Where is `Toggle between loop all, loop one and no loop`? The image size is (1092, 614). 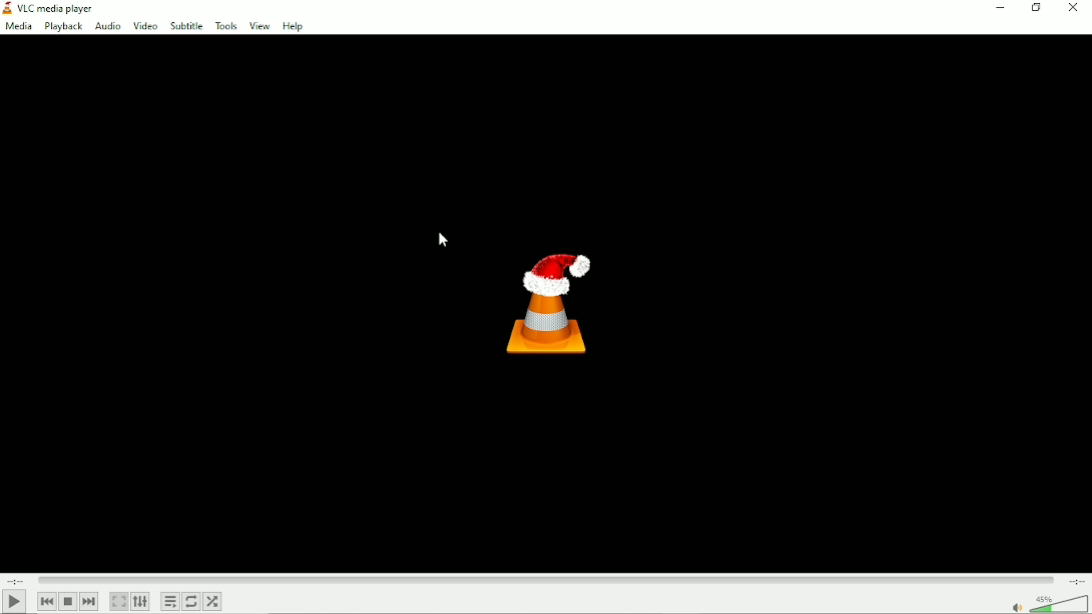 Toggle between loop all, loop one and no loop is located at coordinates (191, 601).